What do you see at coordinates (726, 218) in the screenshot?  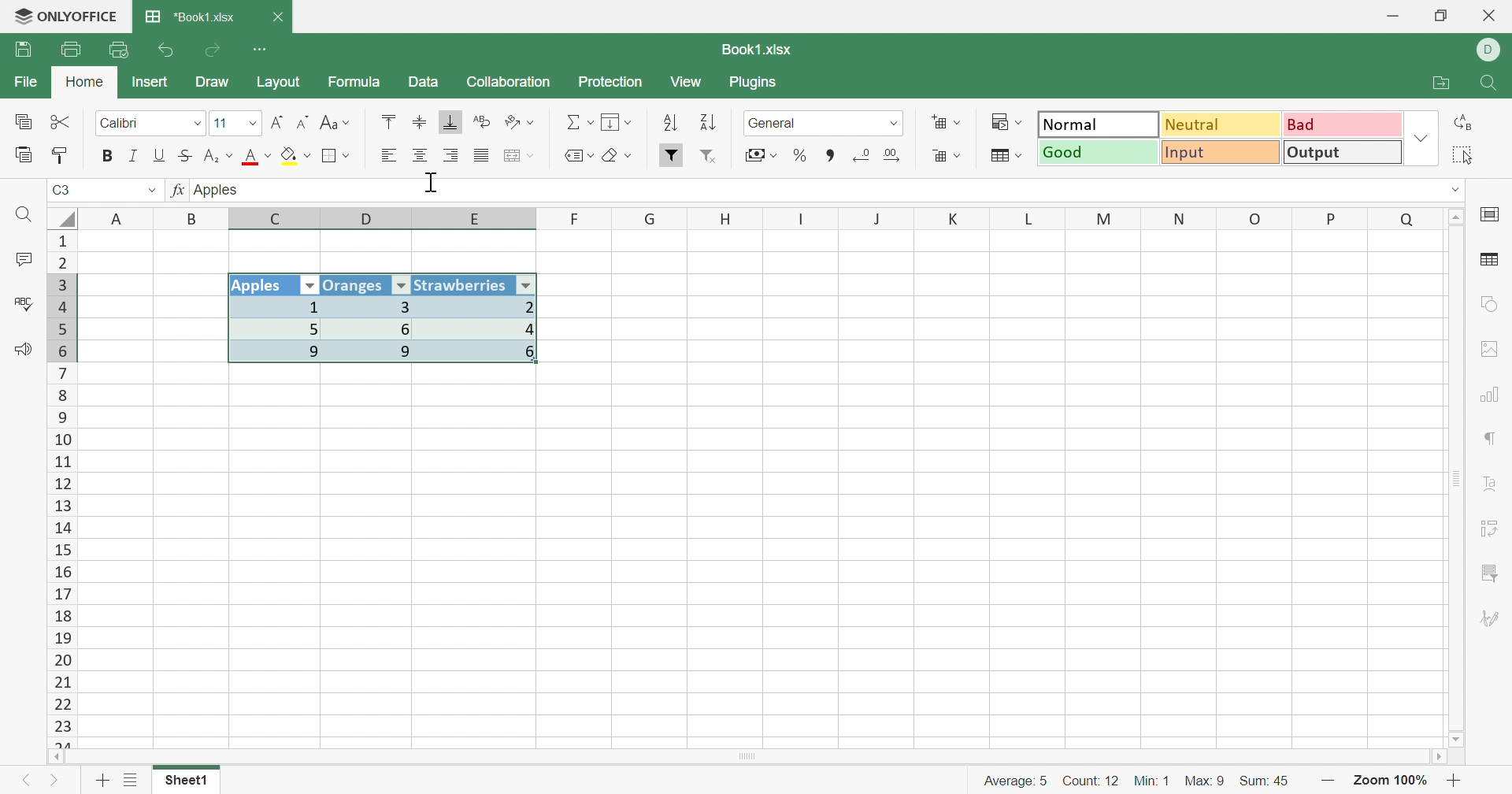 I see `H` at bounding box center [726, 218].